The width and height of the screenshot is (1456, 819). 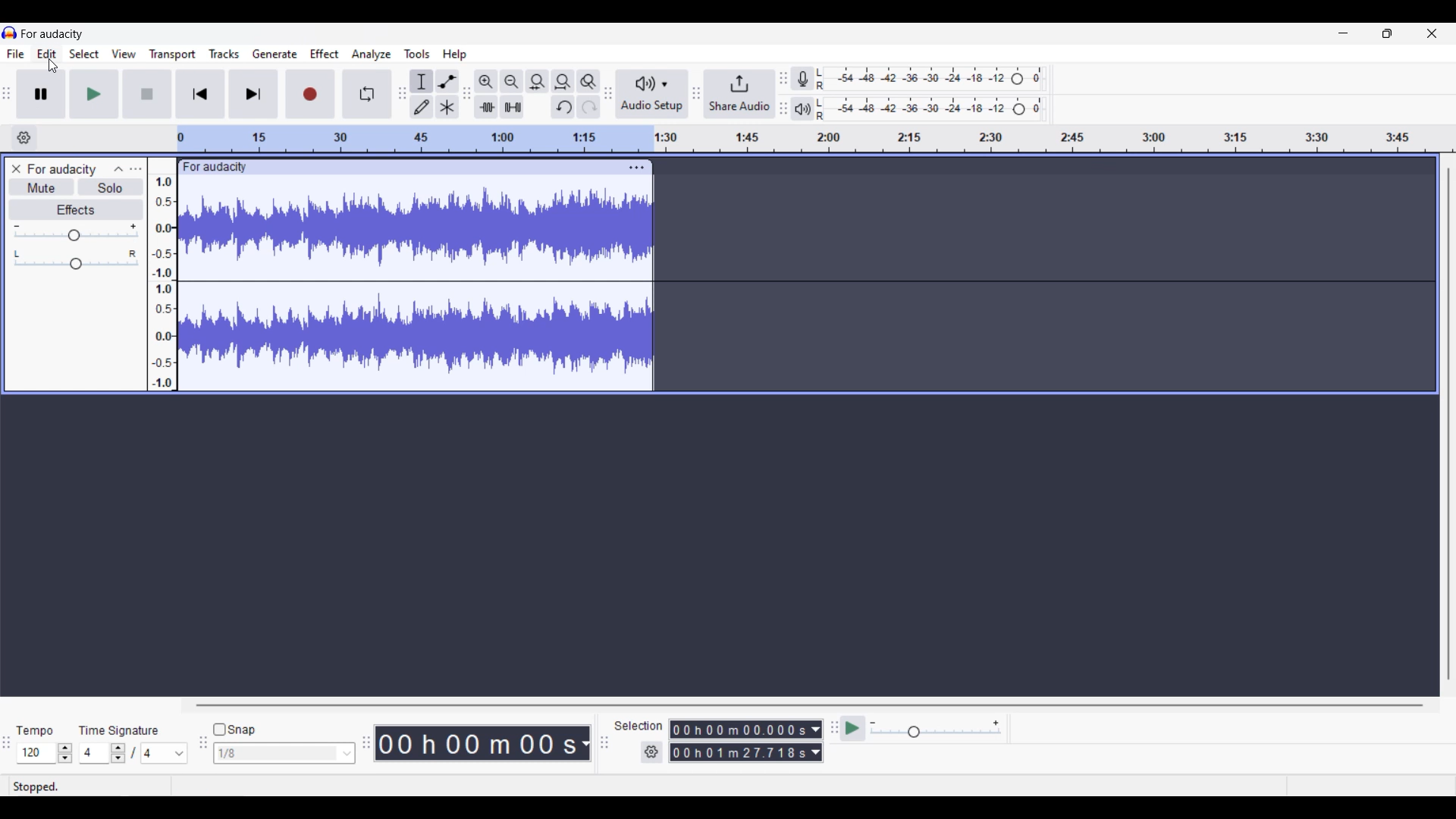 What do you see at coordinates (422, 107) in the screenshot?
I see `Draw tool` at bounding box center [422, 107].